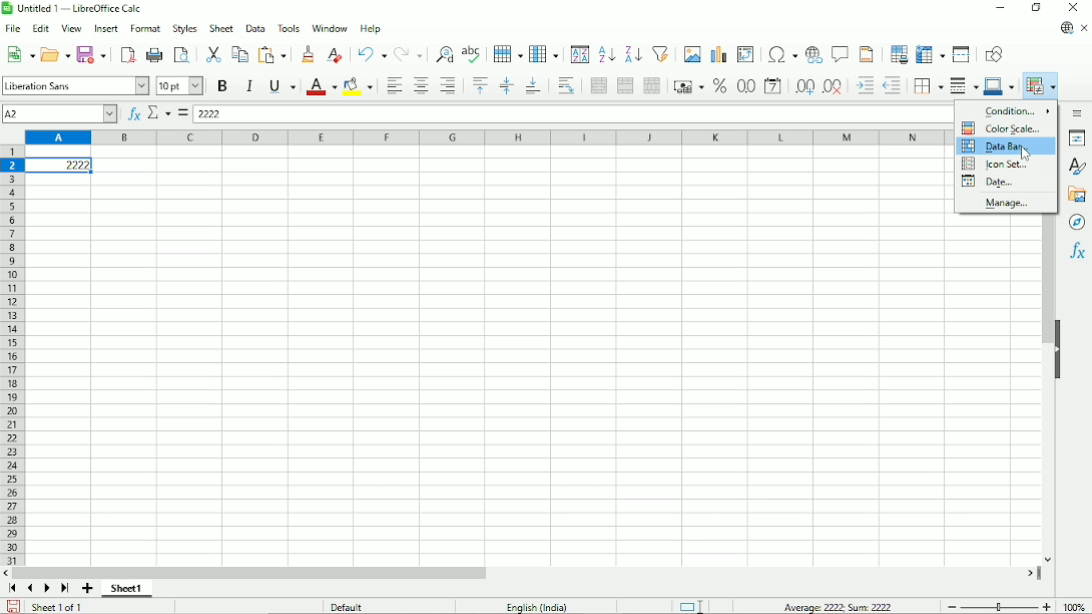 The image size is (1092, 614). I want to click on Sort descending, so click(631, 54).